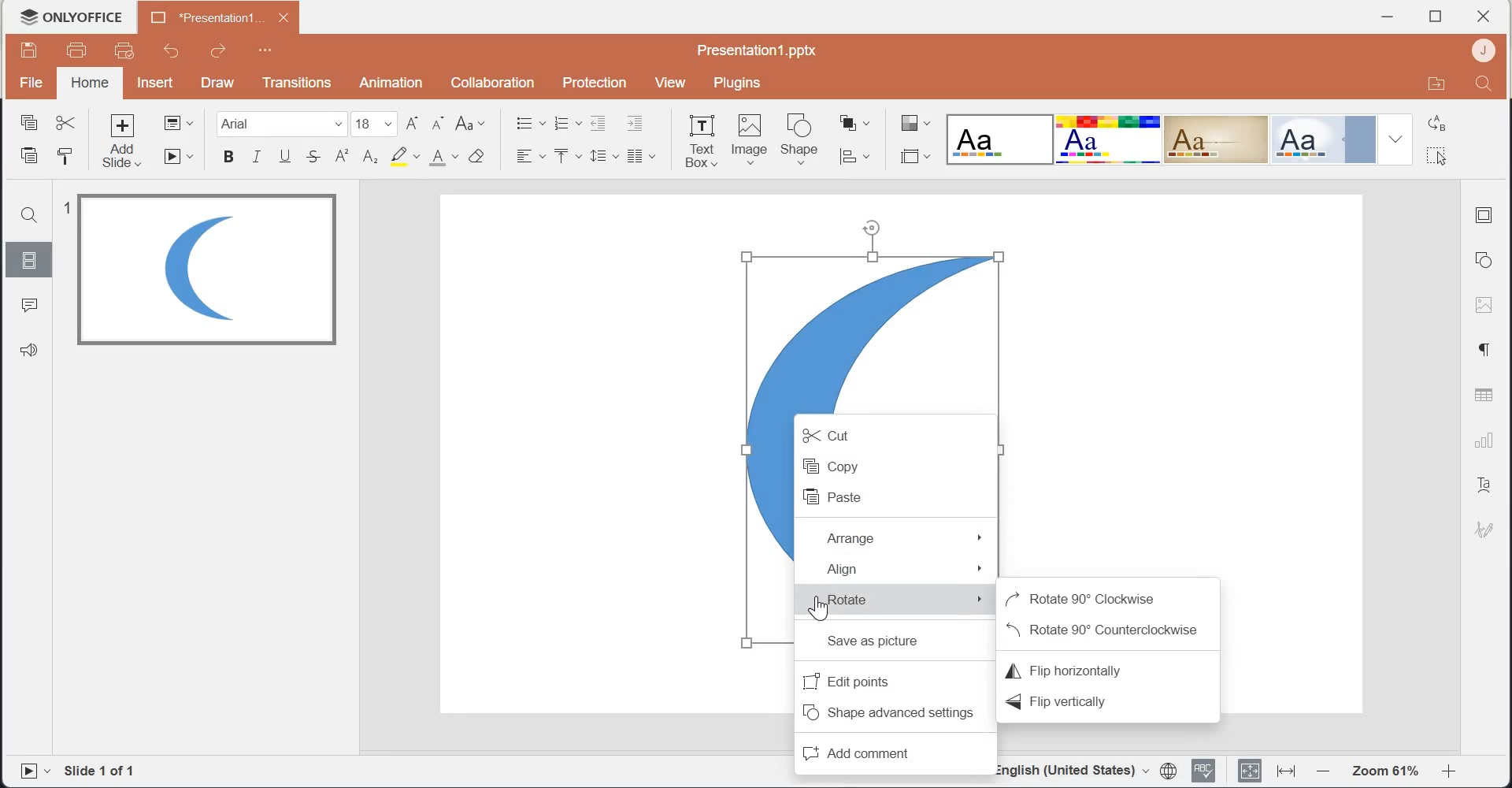 Image resolution: width=1512 pixels, height=788 pixels. I want to click on View, so click(671, 84).